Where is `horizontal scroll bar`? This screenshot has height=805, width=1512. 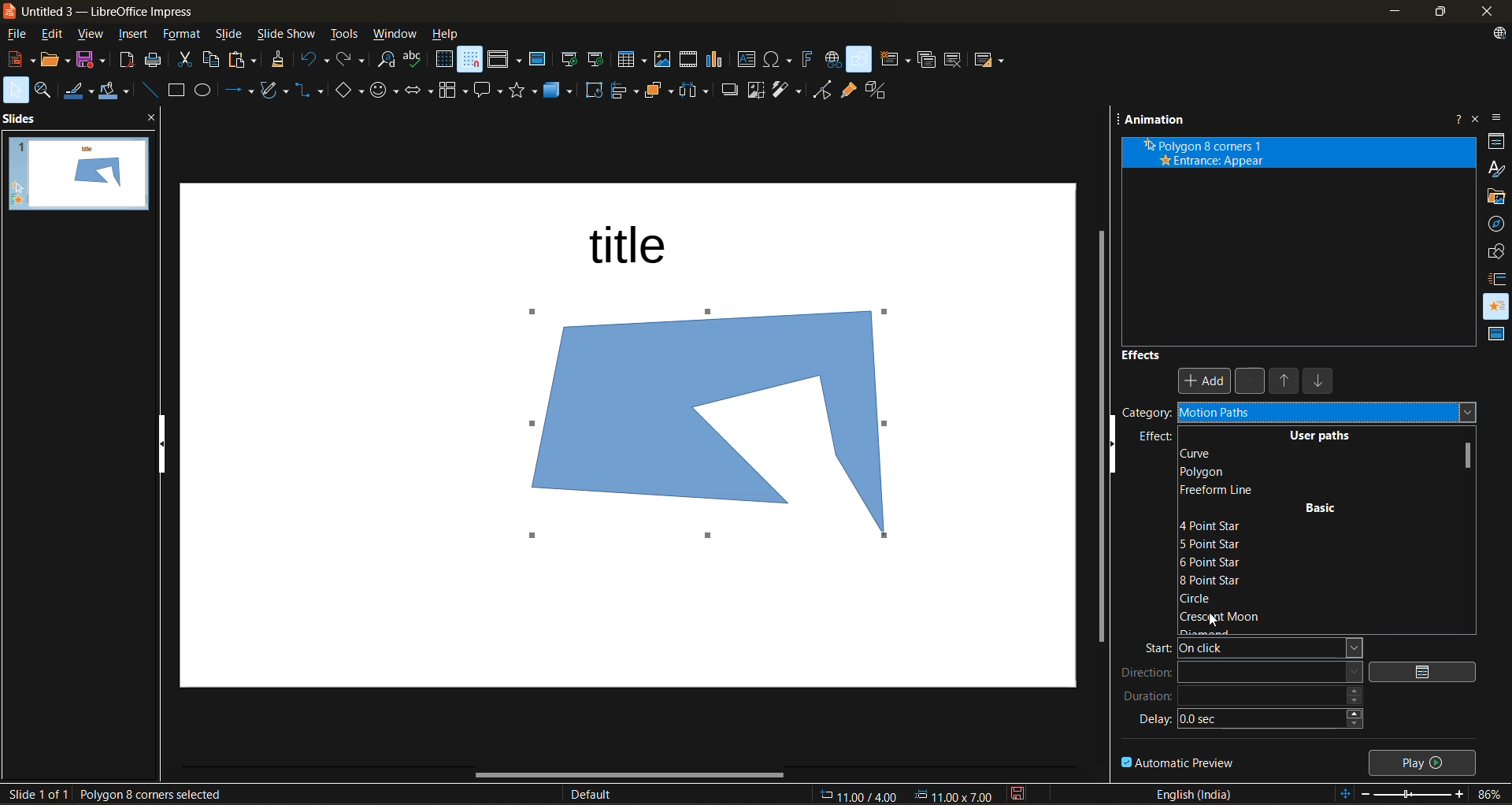 horizontal scroll bar is located at coordinates (632, 777).